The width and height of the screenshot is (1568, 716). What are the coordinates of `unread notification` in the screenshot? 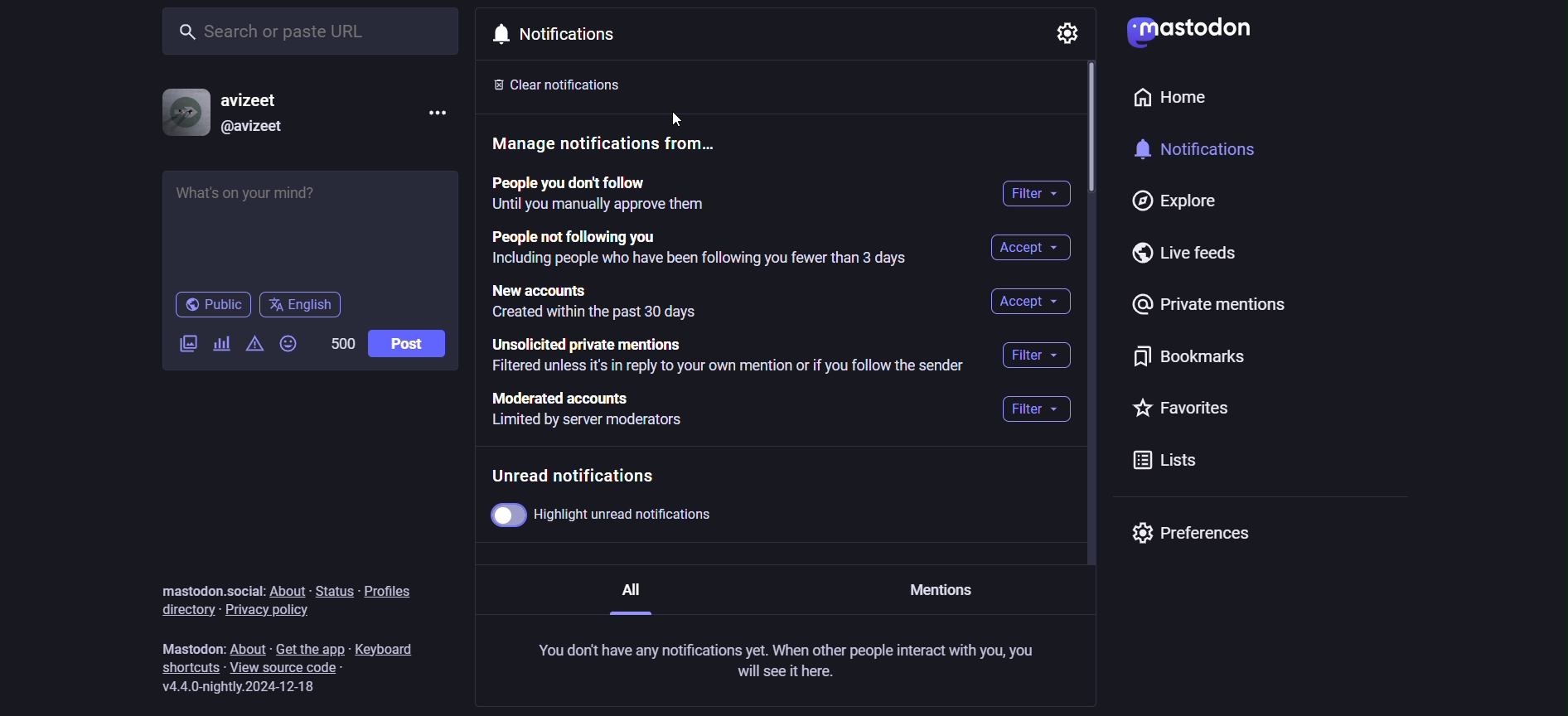 It's located at (588, 477).